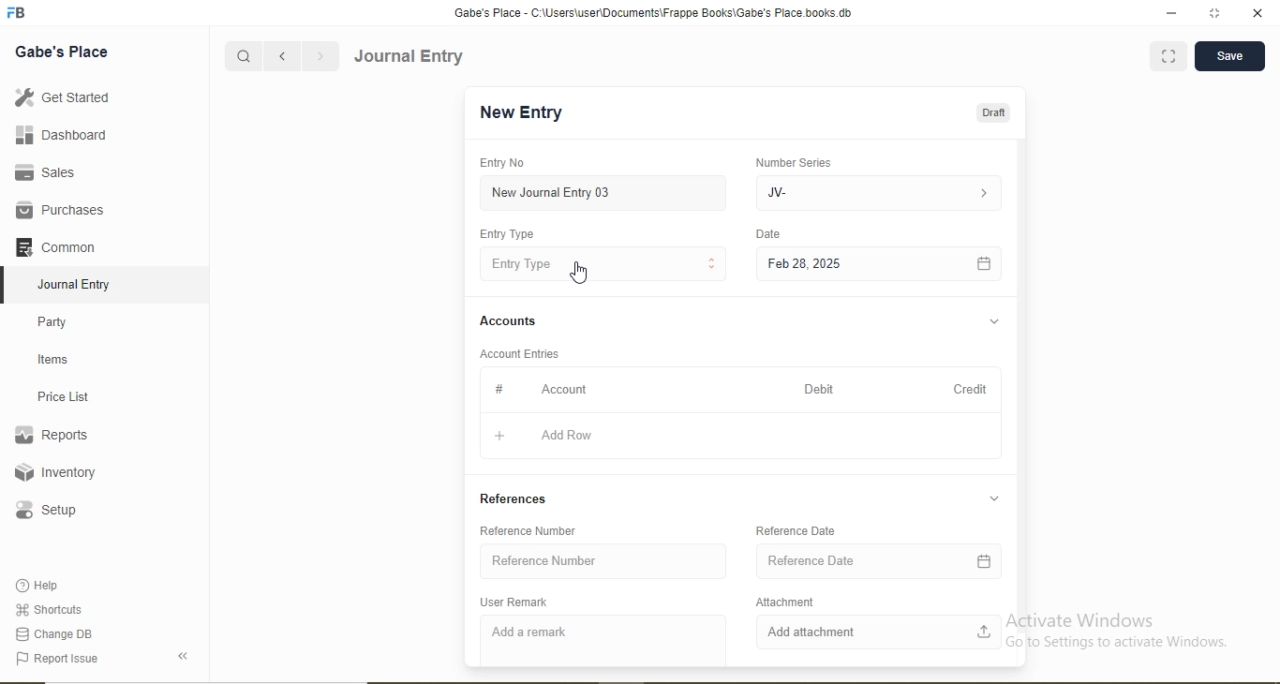 The width and height of the screenshot is (1280, 684). Describe the element at coordinates (995, 322) in the screenshot. I see `Dropdown` at that location.